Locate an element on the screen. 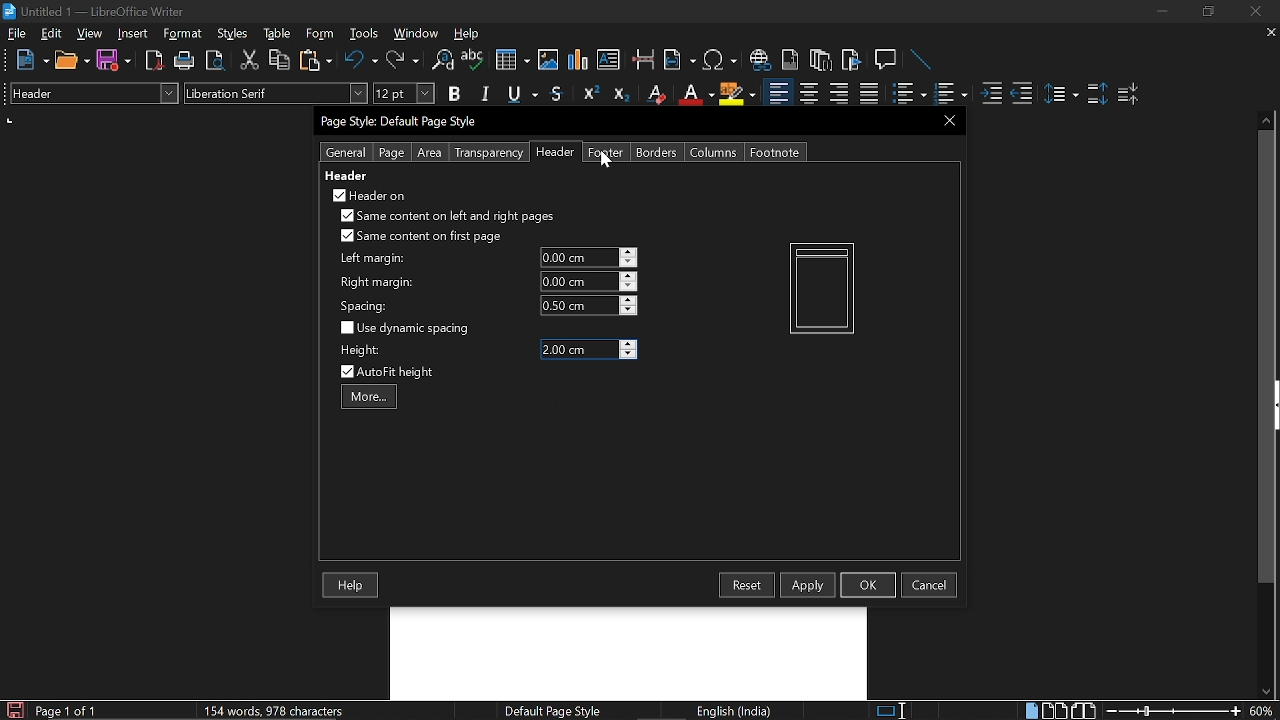 The width and height of the screenshot is (1280, 720). Single page view is located at coordinates (1031, 710).